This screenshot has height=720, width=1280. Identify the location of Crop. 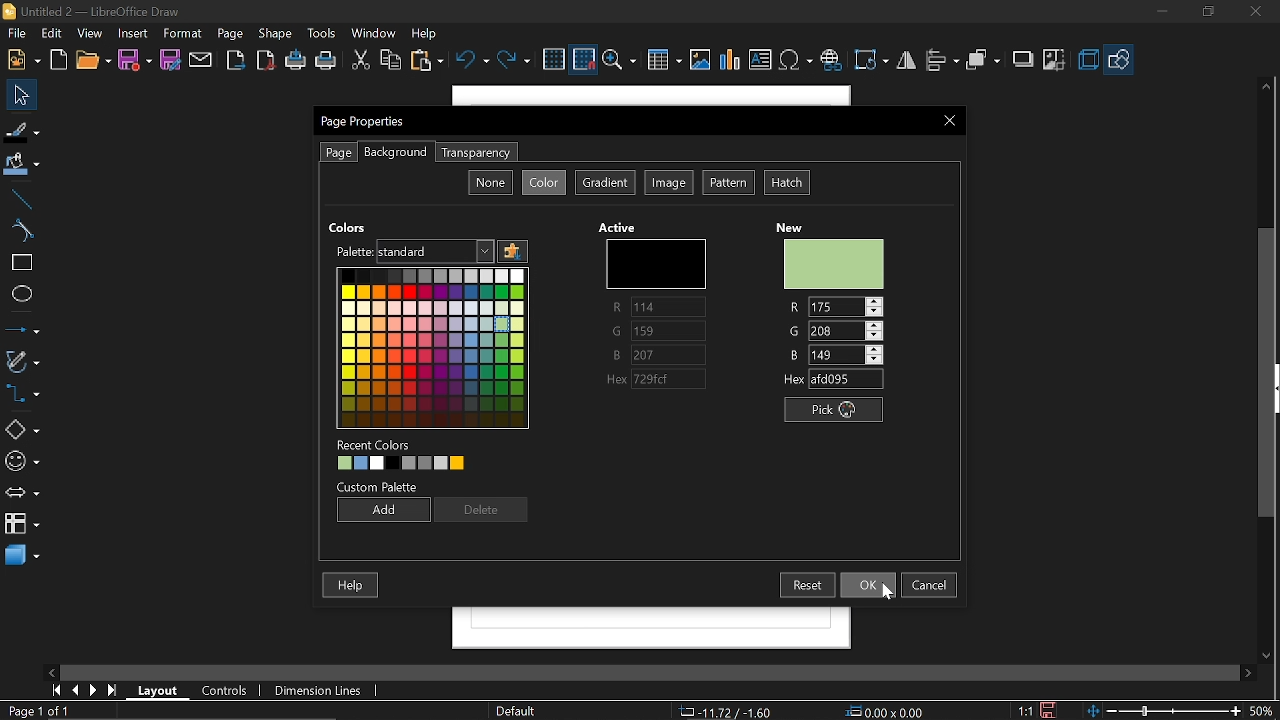
(1054, 61).